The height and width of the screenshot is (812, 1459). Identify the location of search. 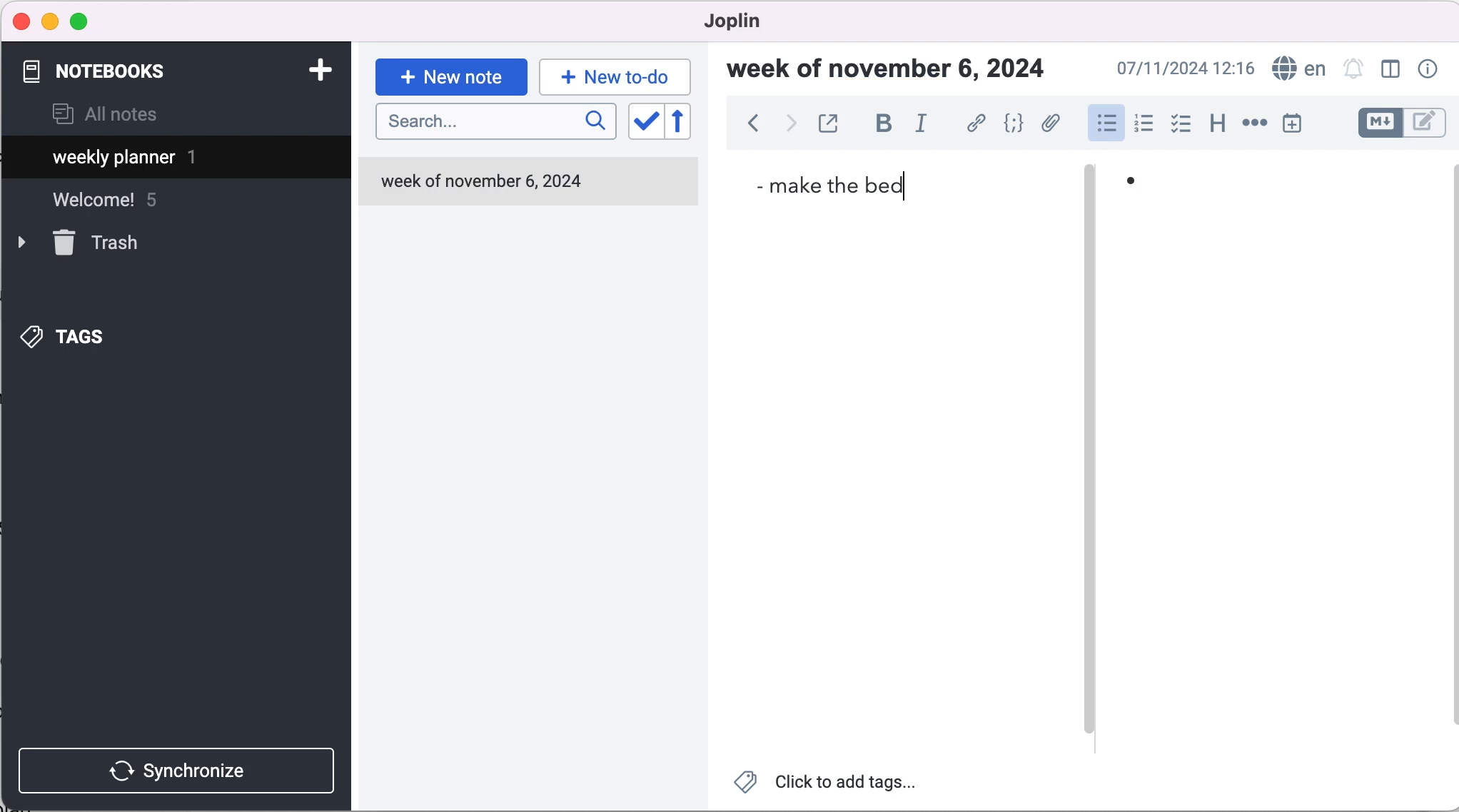
(495, 122).